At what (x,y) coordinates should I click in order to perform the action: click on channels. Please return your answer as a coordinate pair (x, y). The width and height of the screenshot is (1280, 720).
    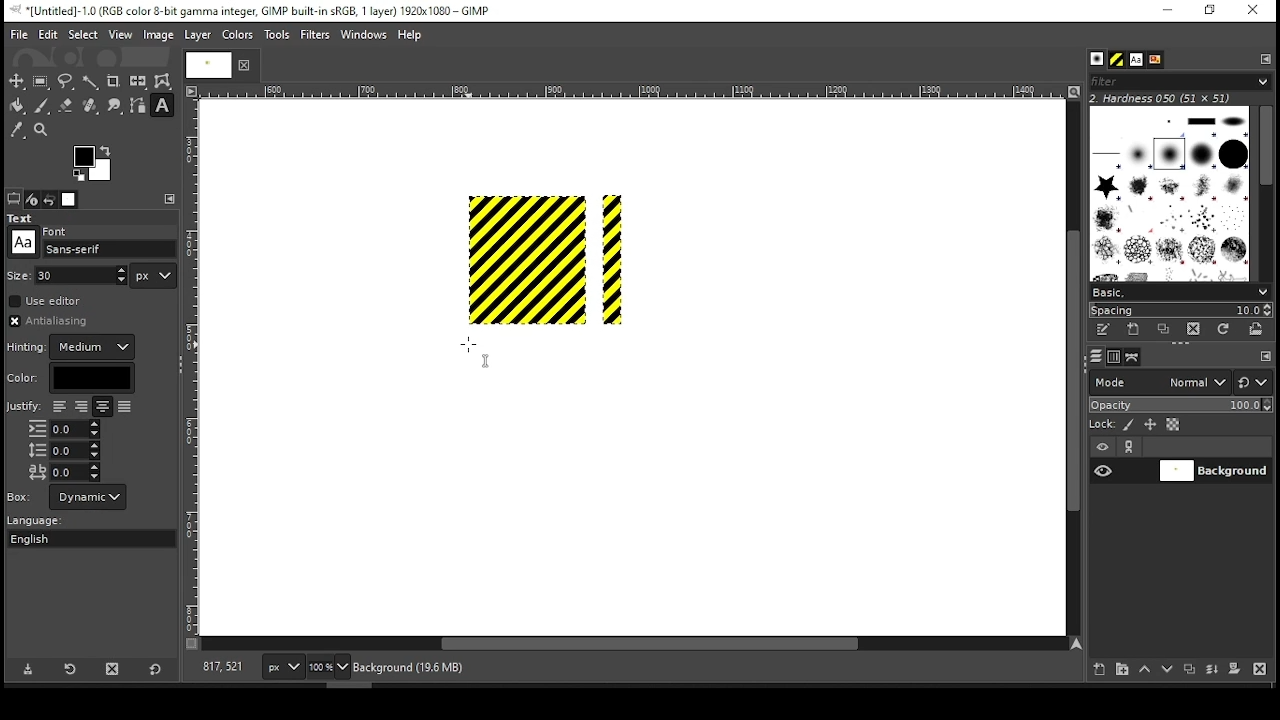
    Looking at the image, I should click on (1113, 357).